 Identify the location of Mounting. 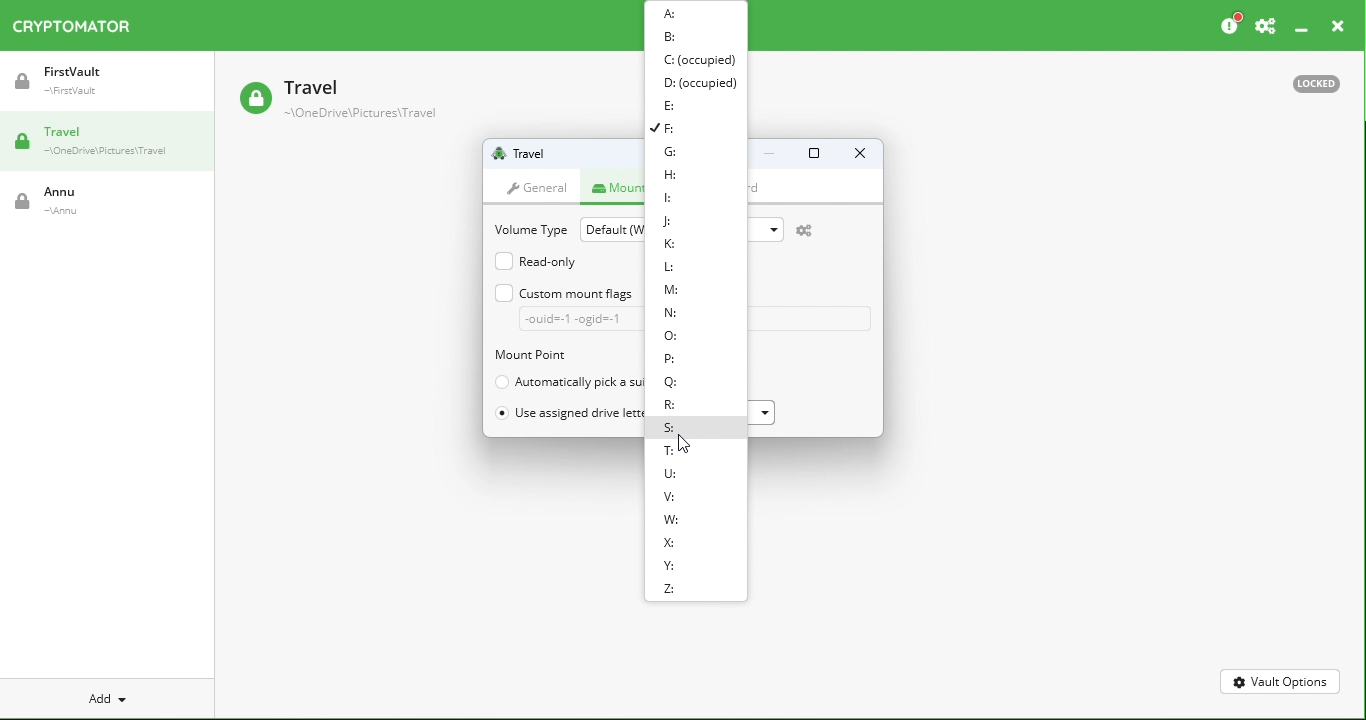
(616, 186).